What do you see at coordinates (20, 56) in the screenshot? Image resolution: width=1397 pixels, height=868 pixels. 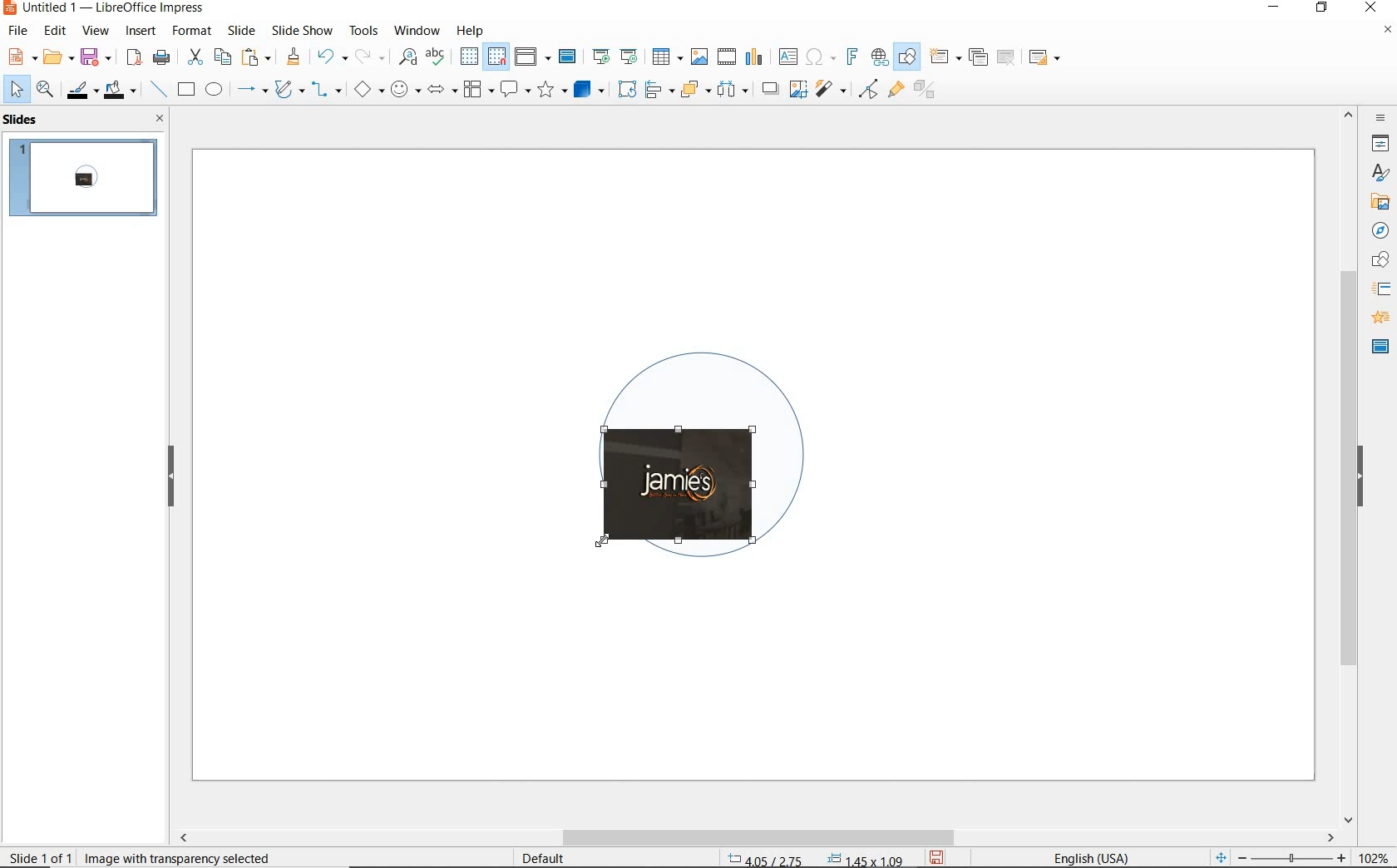 I see `new` at bounding box center [20, 56].